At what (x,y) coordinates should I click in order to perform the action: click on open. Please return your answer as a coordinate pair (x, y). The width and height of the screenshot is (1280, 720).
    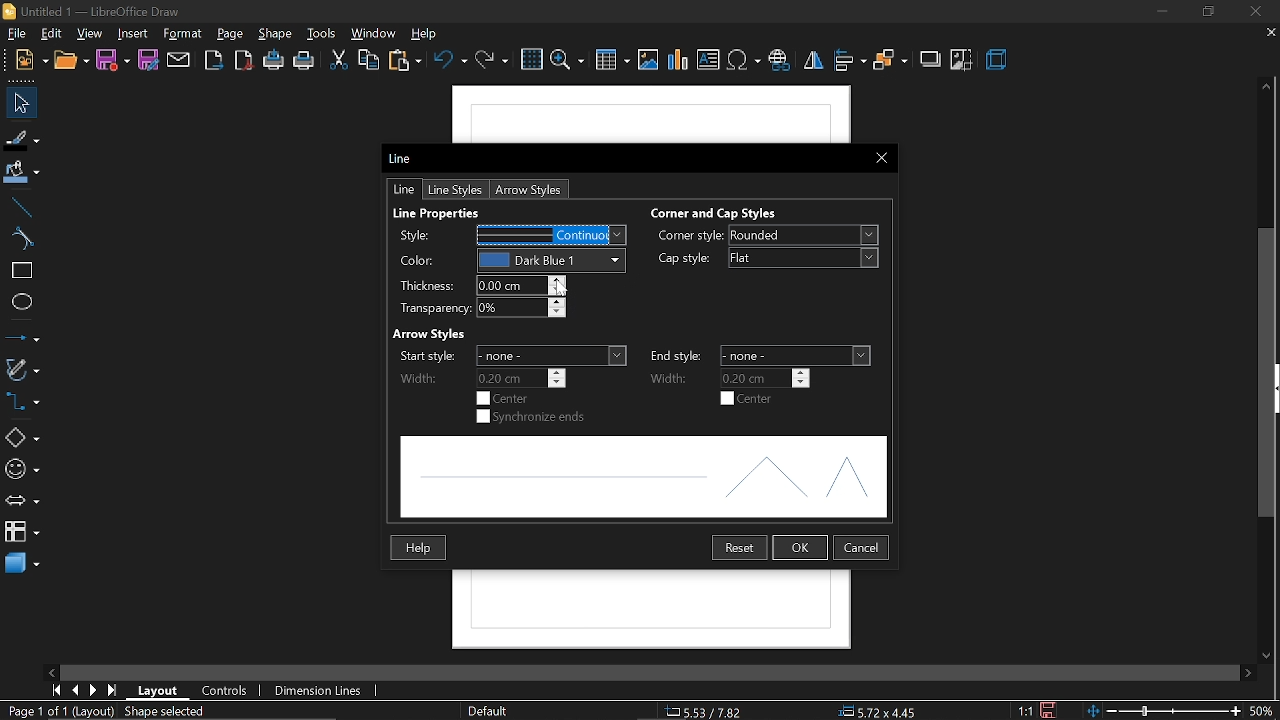
    Looking at the image, I should click on (73, 61).